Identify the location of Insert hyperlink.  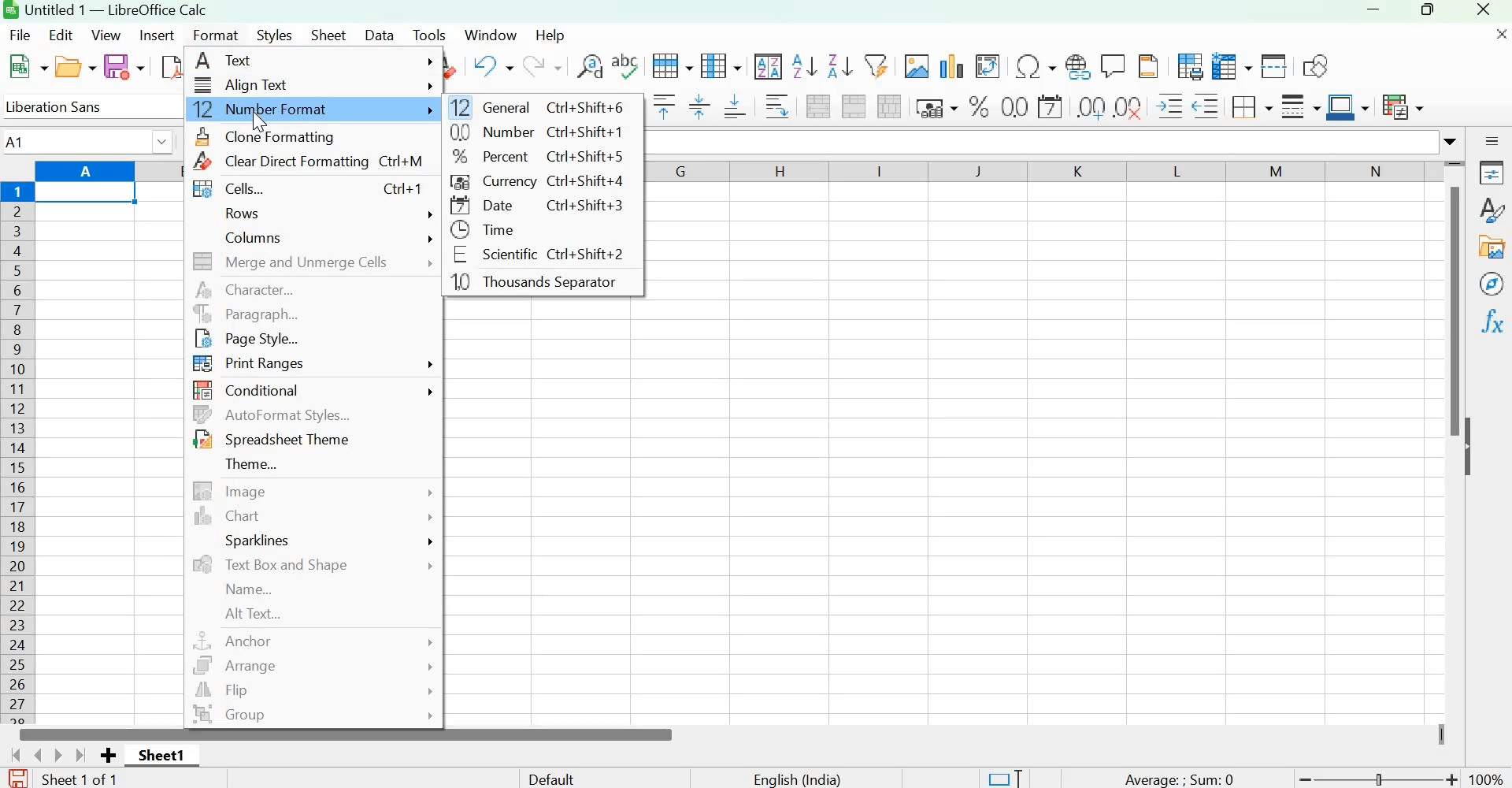
(1078, 64).